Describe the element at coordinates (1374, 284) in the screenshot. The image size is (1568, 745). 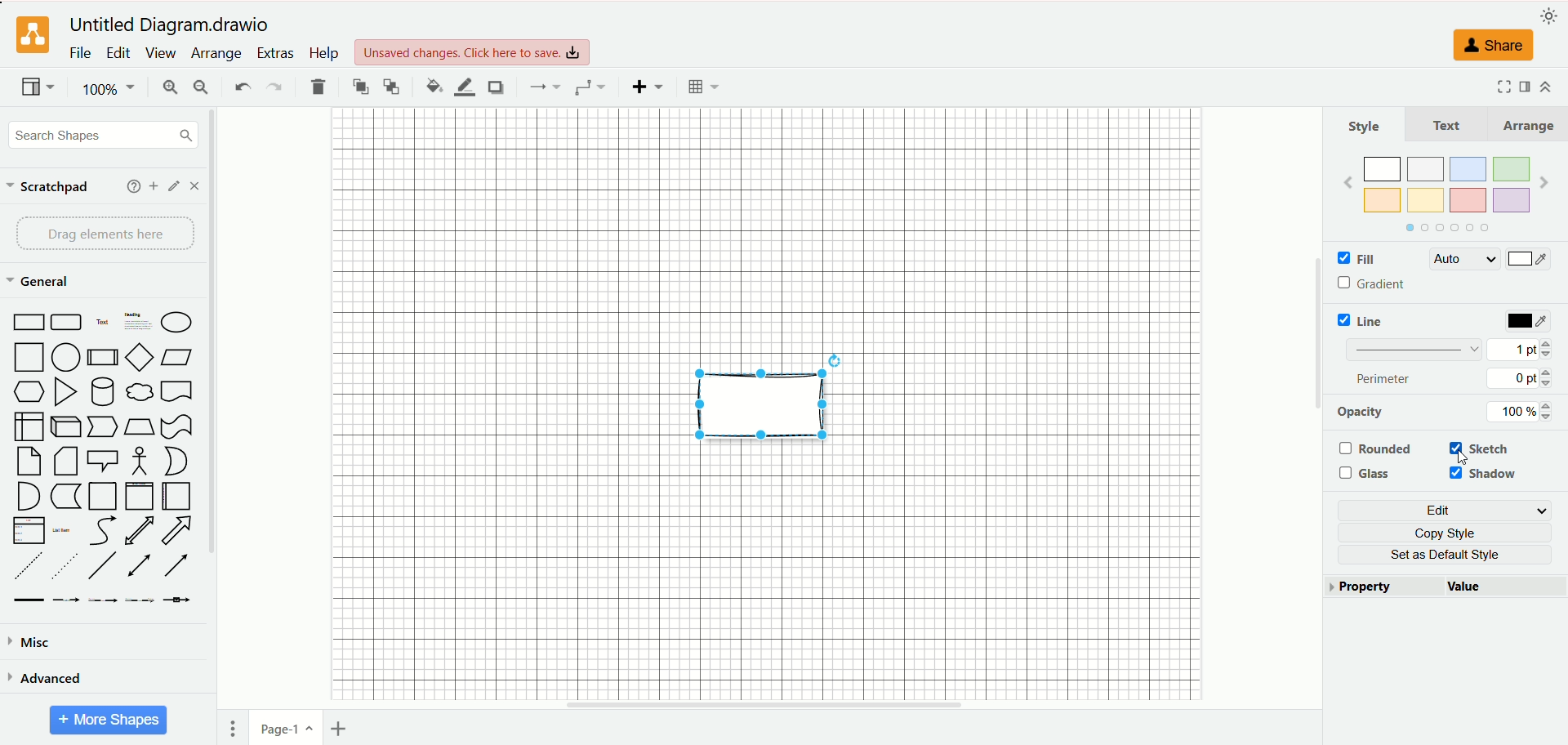
I see `gradient` at that location.